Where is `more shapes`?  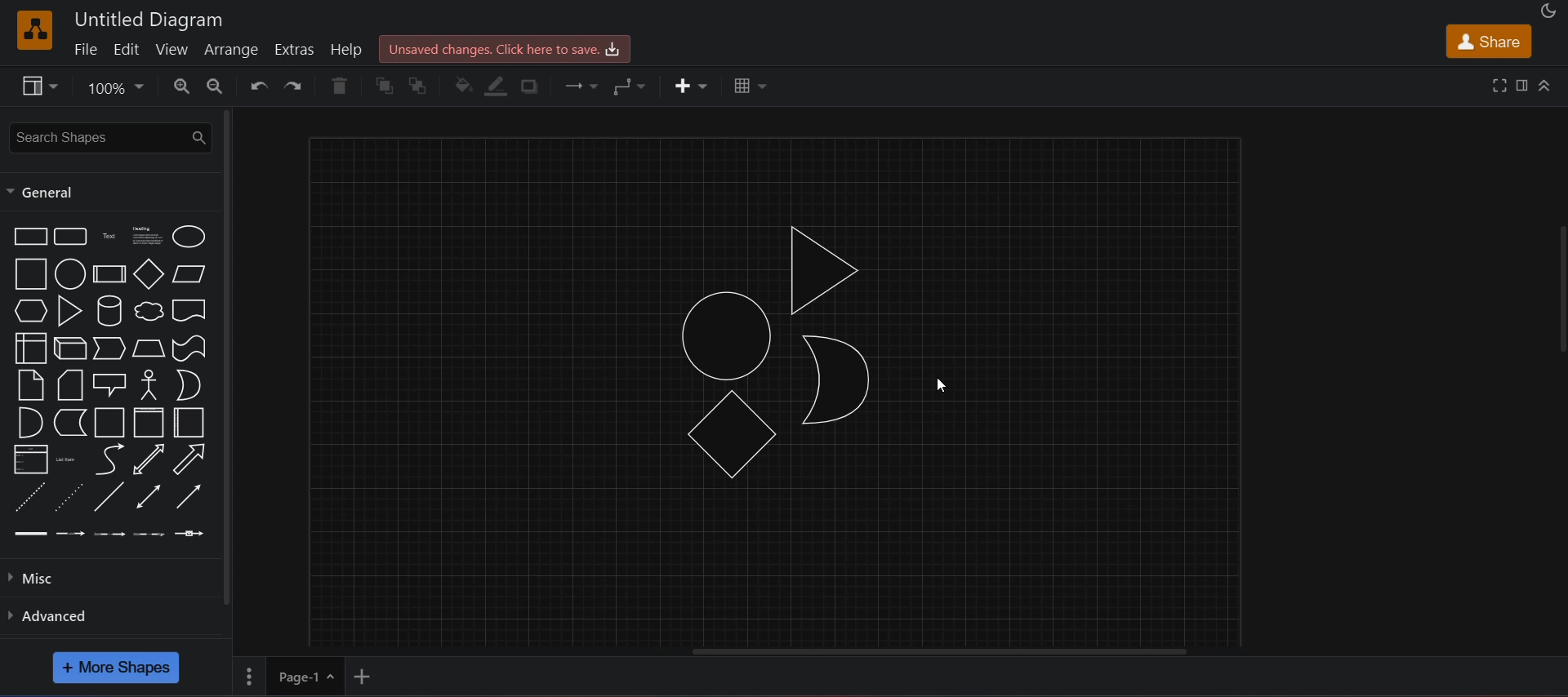 more shapes is located at coordinates (116, 667).